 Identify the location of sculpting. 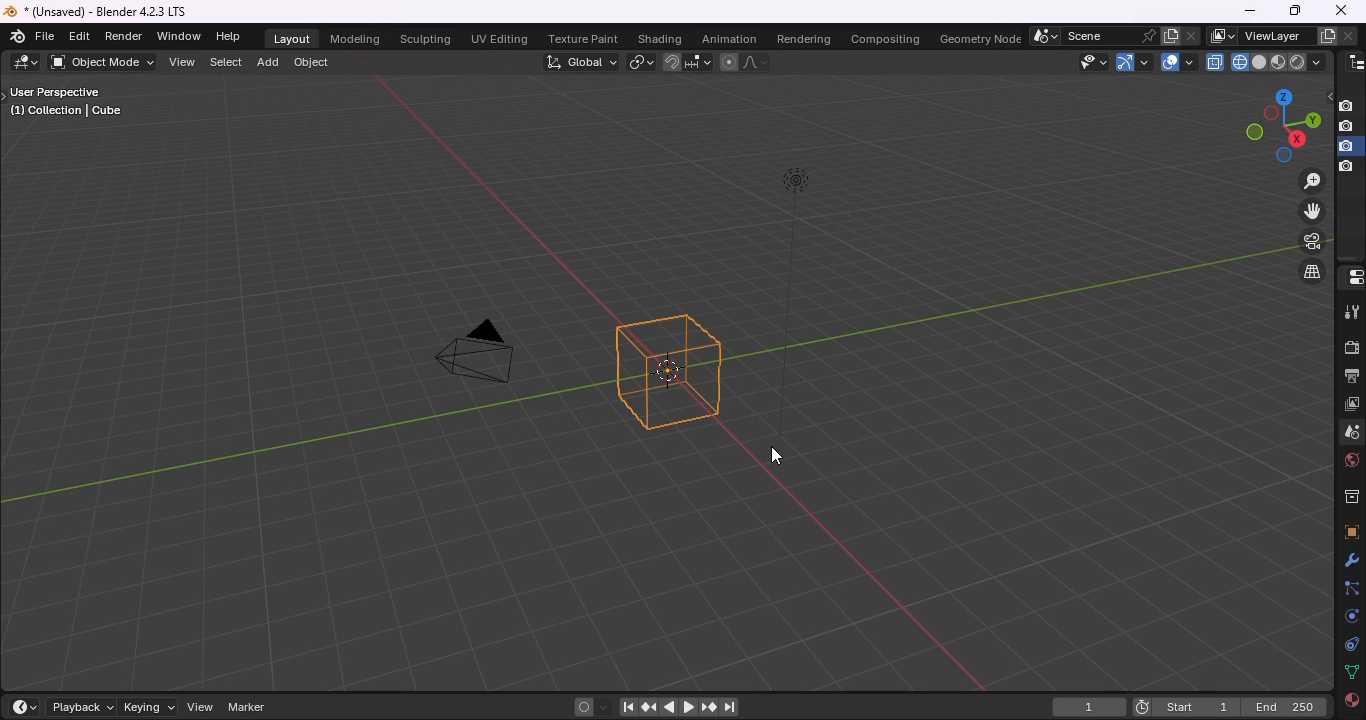
(426, 39).